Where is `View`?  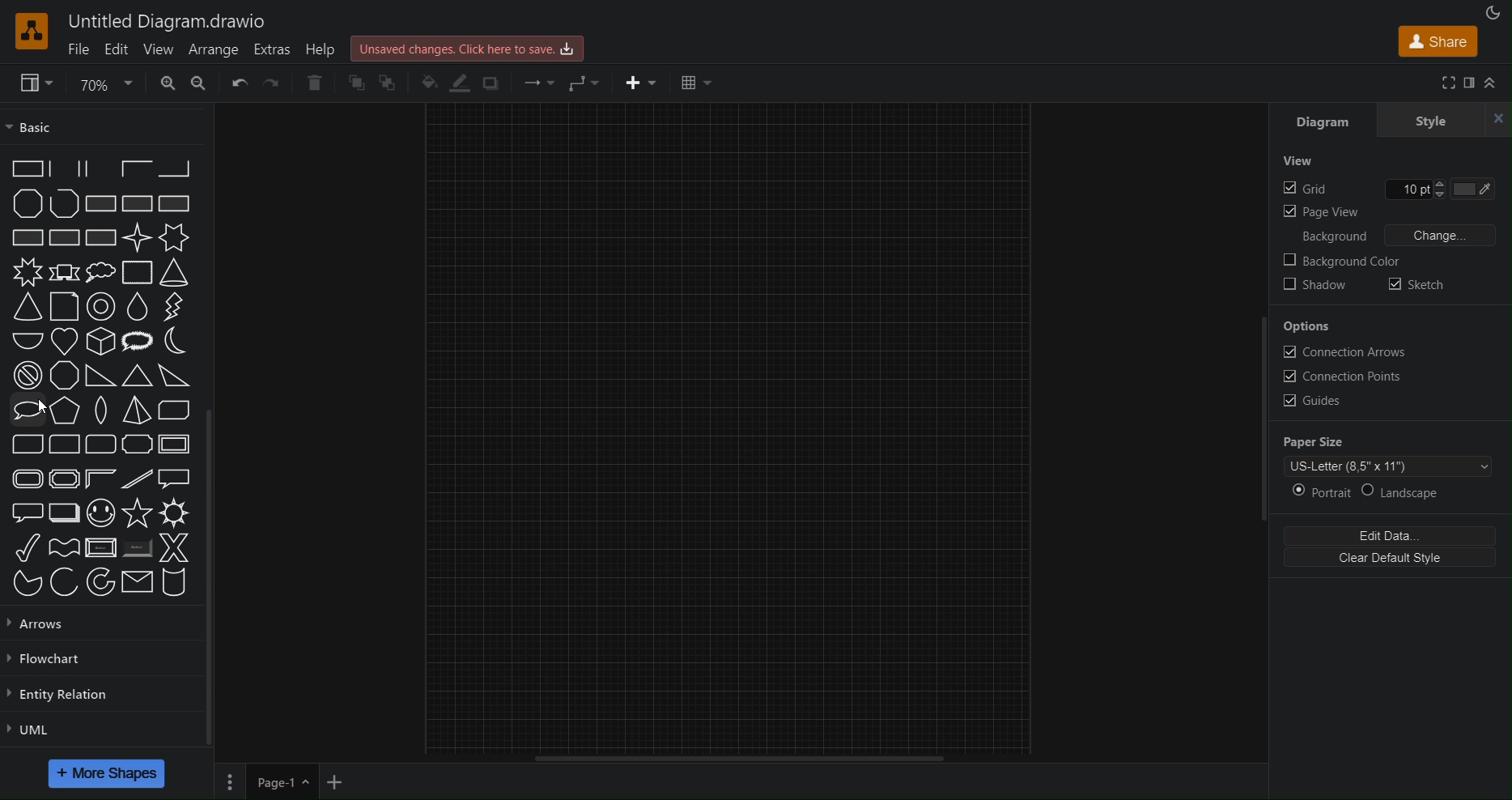 View is located at coordinates (1302, 159).